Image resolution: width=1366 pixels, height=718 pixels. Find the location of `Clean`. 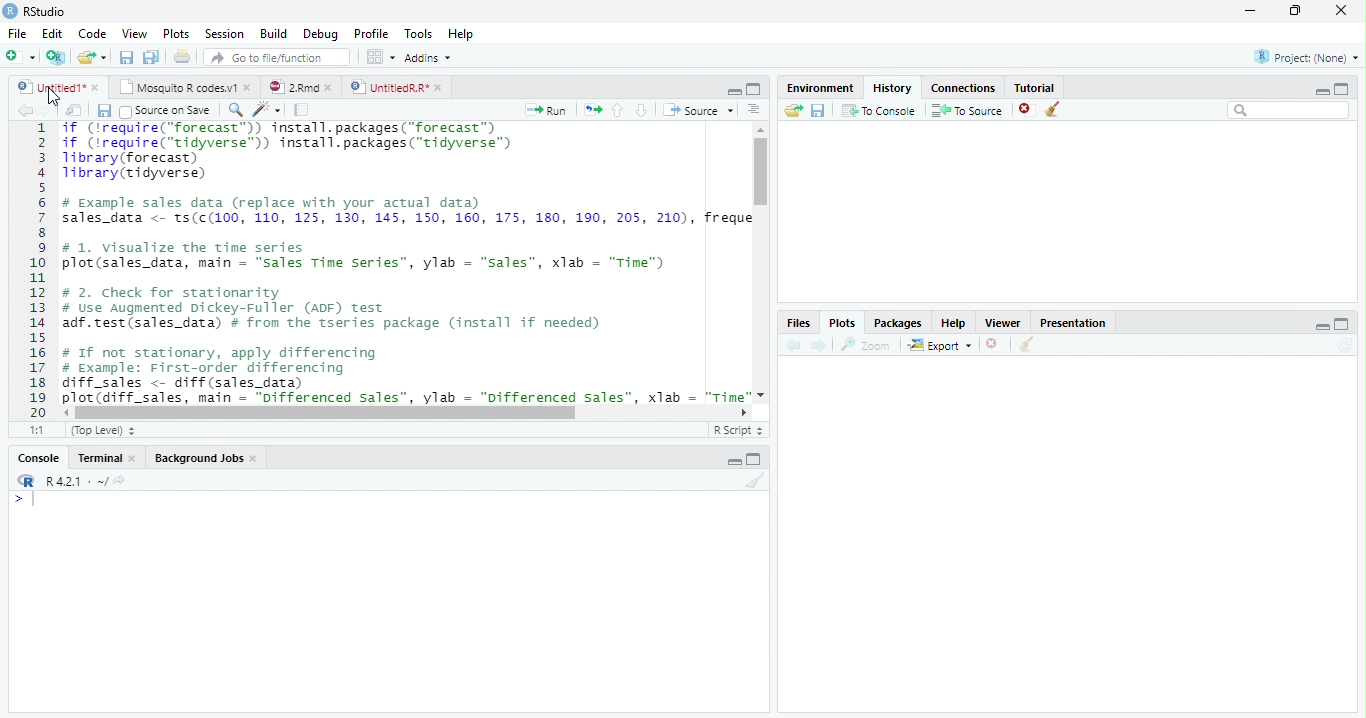

Clean is located at coordinates (753, 481).